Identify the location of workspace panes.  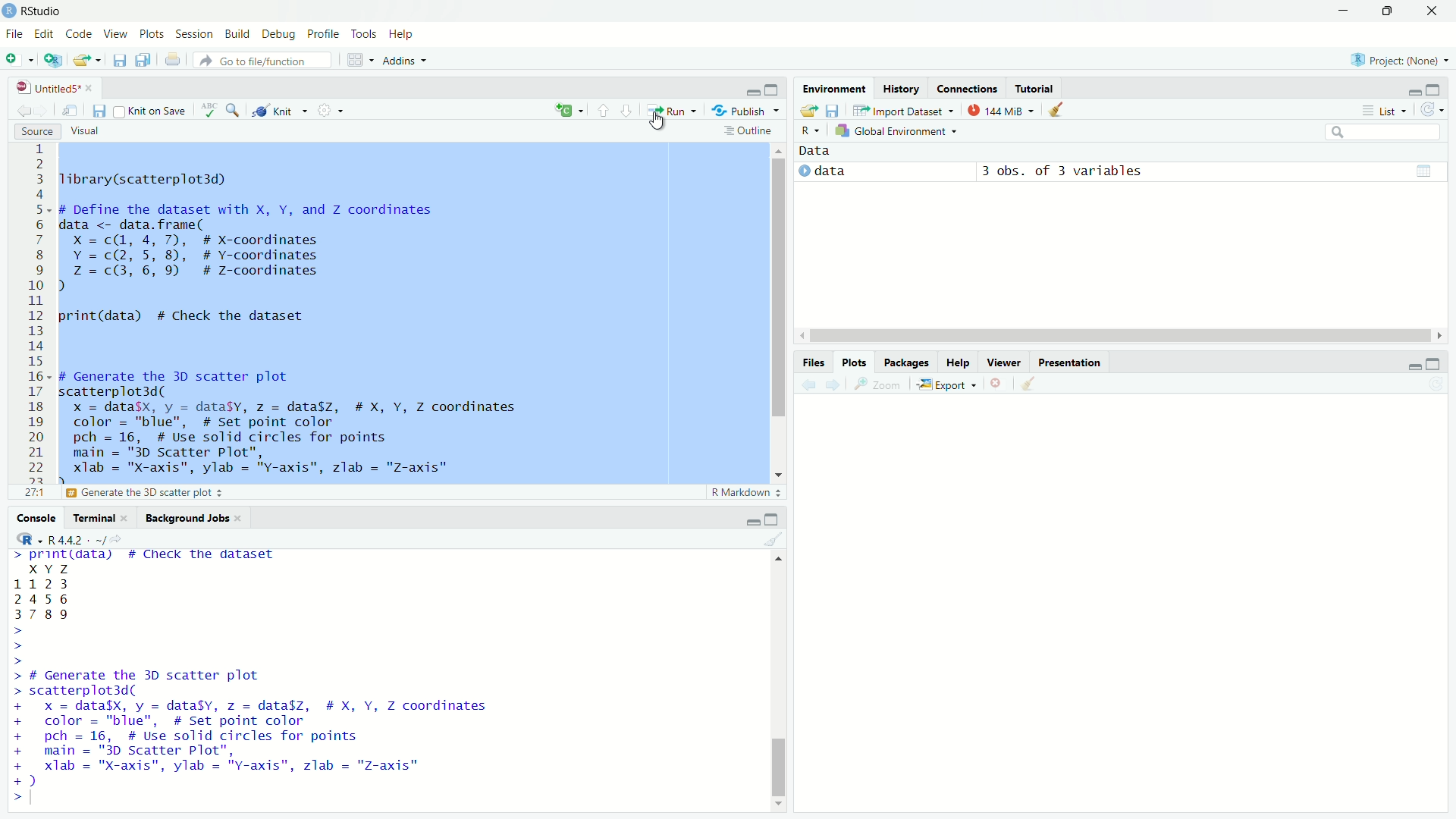
(359, 60).